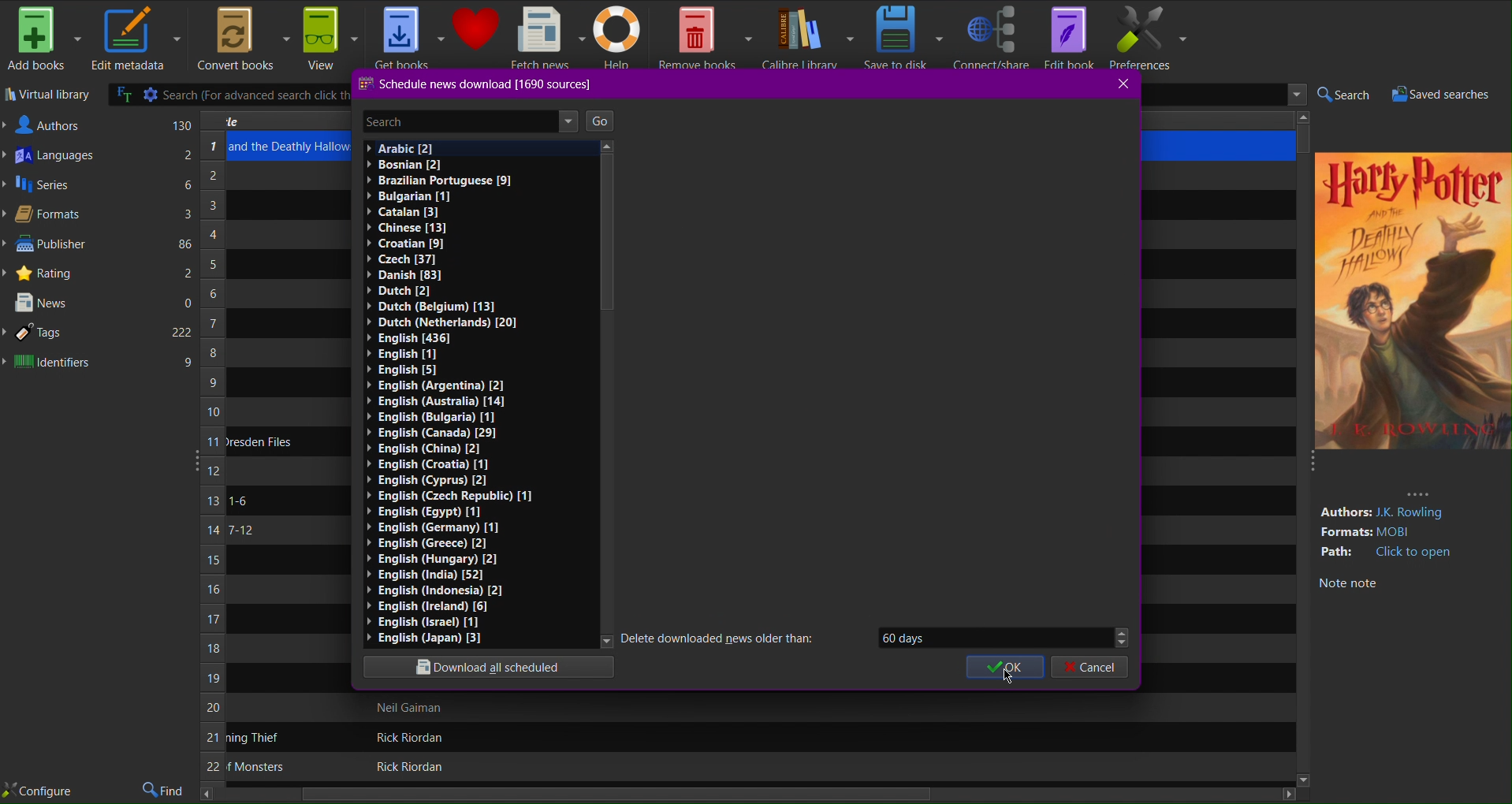 The width and height of the screenshot is (1512, 804). Describe the element at coordinates (433, 401) in the screenshot. I see `English (Australia) [14]` at that location.